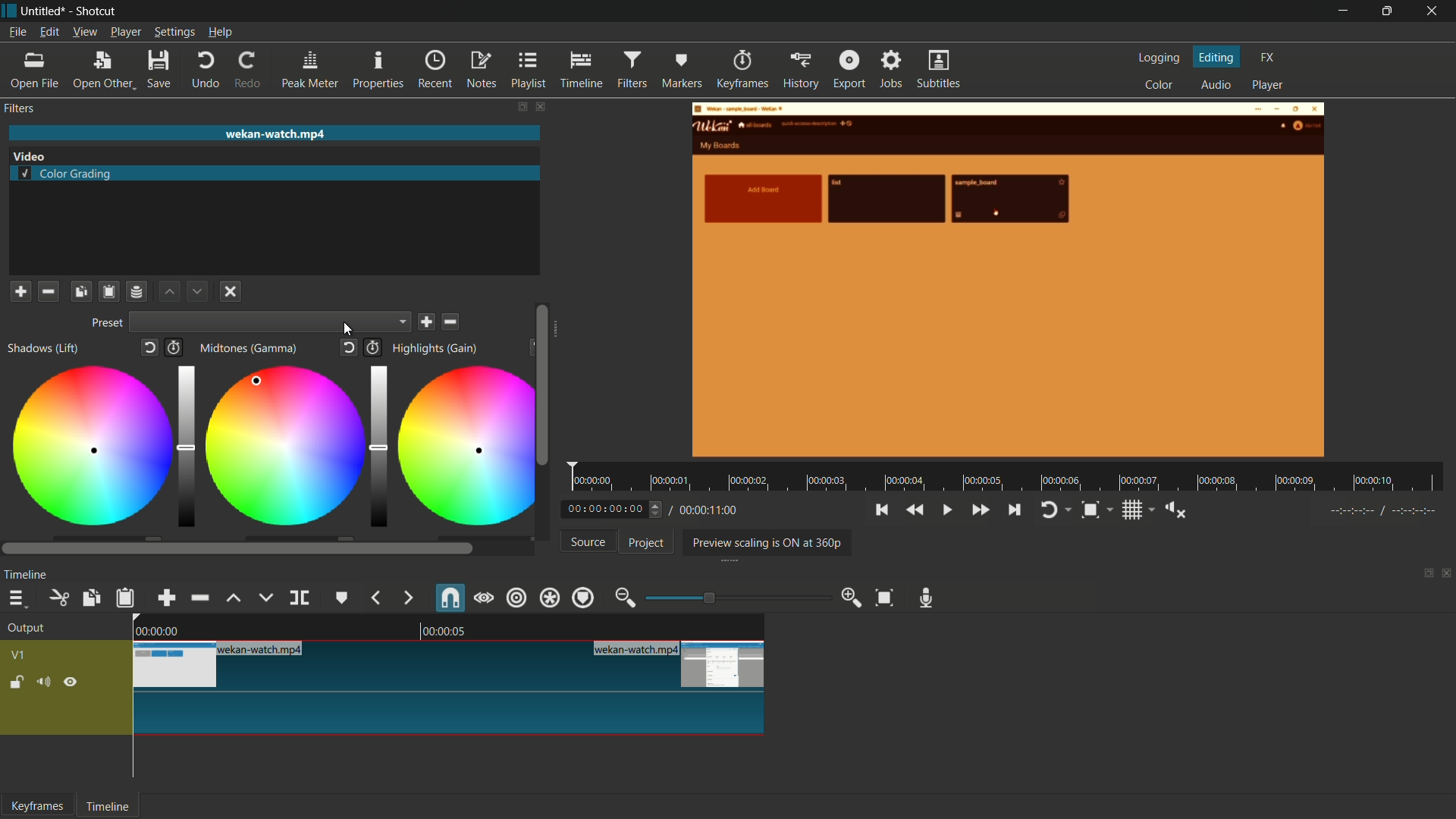 This screenshot has width=1456, height=819. Describe the element at coordinates (68, 175) in the screenshot. I see `color grading` at that location.